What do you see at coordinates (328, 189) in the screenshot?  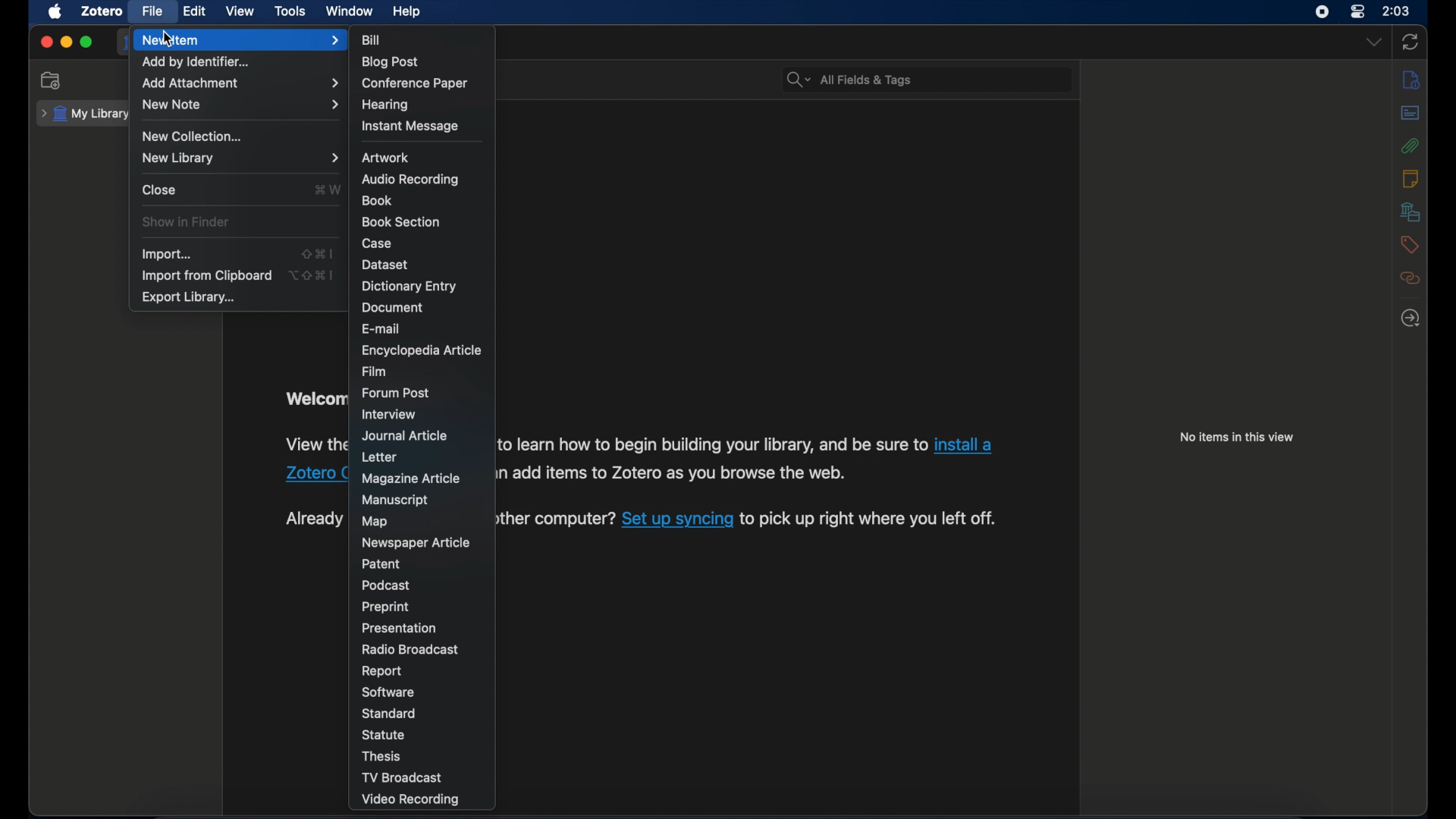 I see `shortcut` at bounding box center [328, 189].